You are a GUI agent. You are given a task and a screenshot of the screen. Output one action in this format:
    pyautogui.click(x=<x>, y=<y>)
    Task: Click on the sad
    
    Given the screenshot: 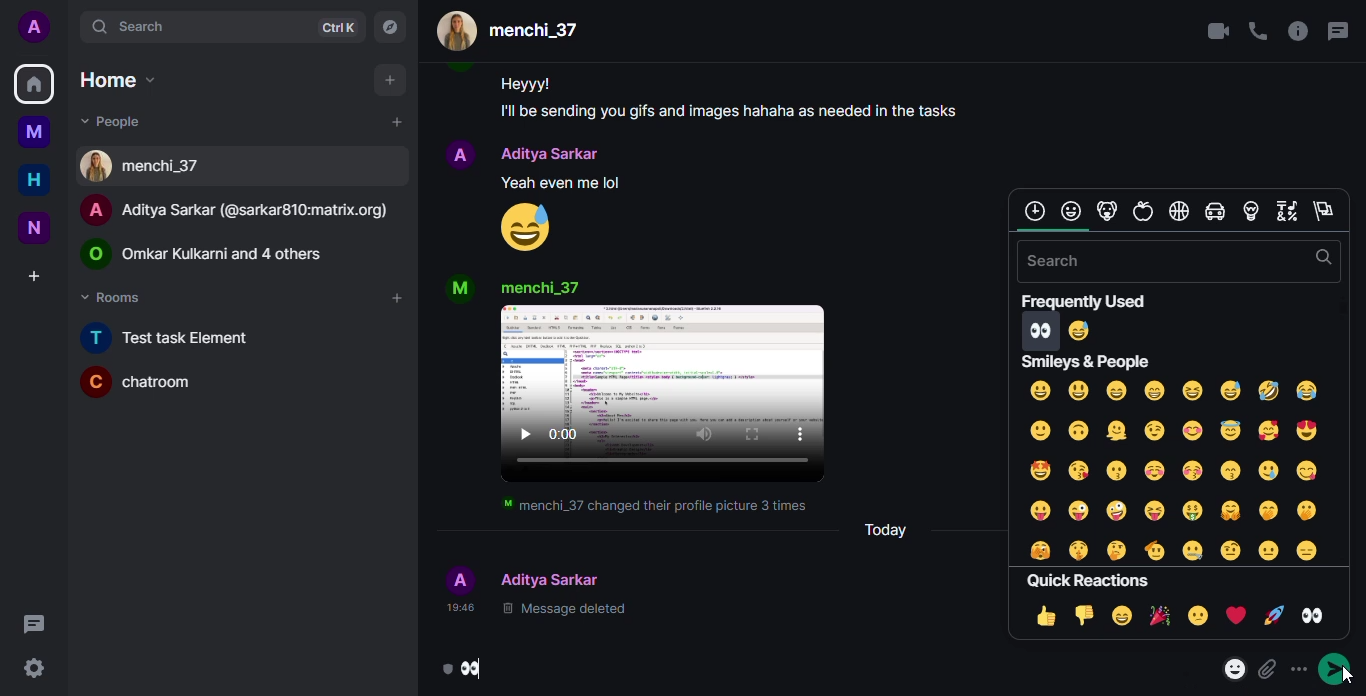 What is the action you would take?
    pyautogui.click(x=1194, y=617)
    